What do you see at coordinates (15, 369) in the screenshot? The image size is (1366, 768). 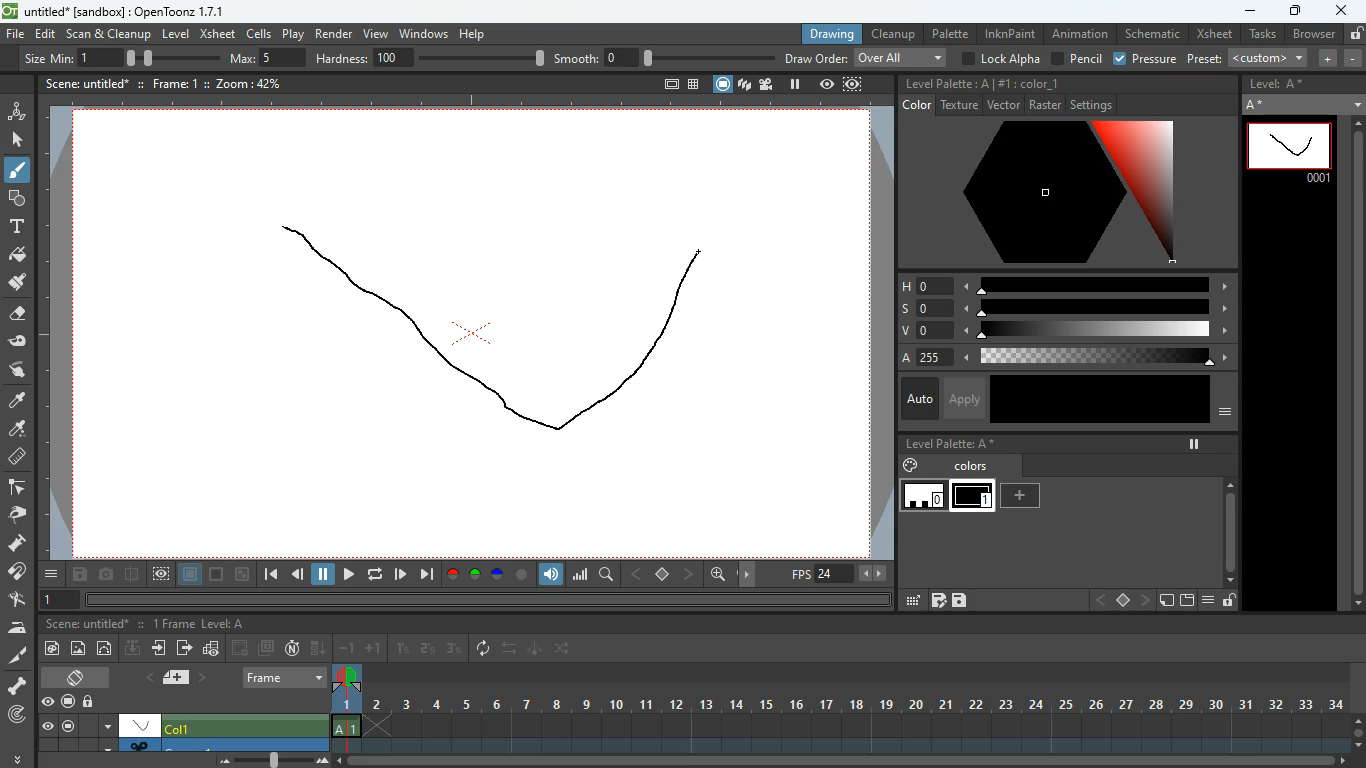 I see `swipe` at bounding box center [15, 369].